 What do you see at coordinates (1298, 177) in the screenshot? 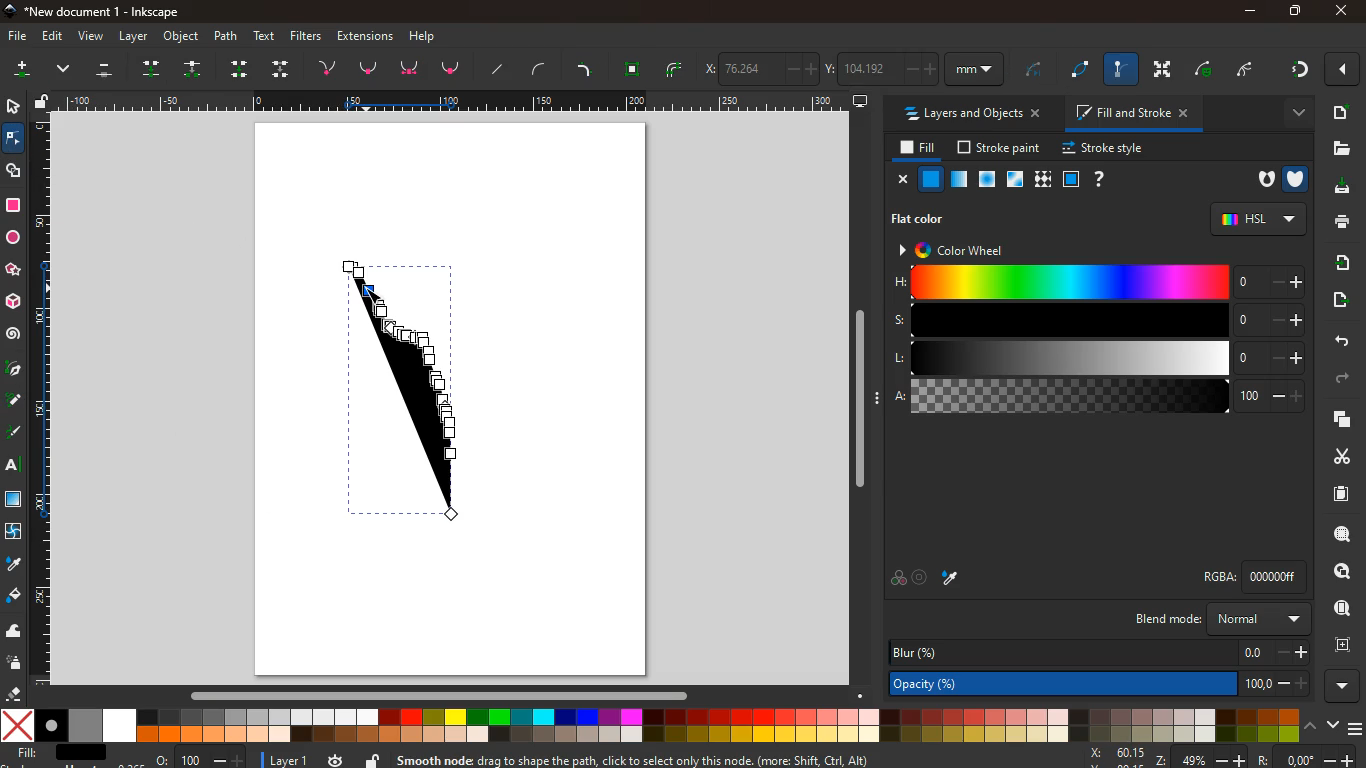
I see `shield` at bounding box center [1298, 177].